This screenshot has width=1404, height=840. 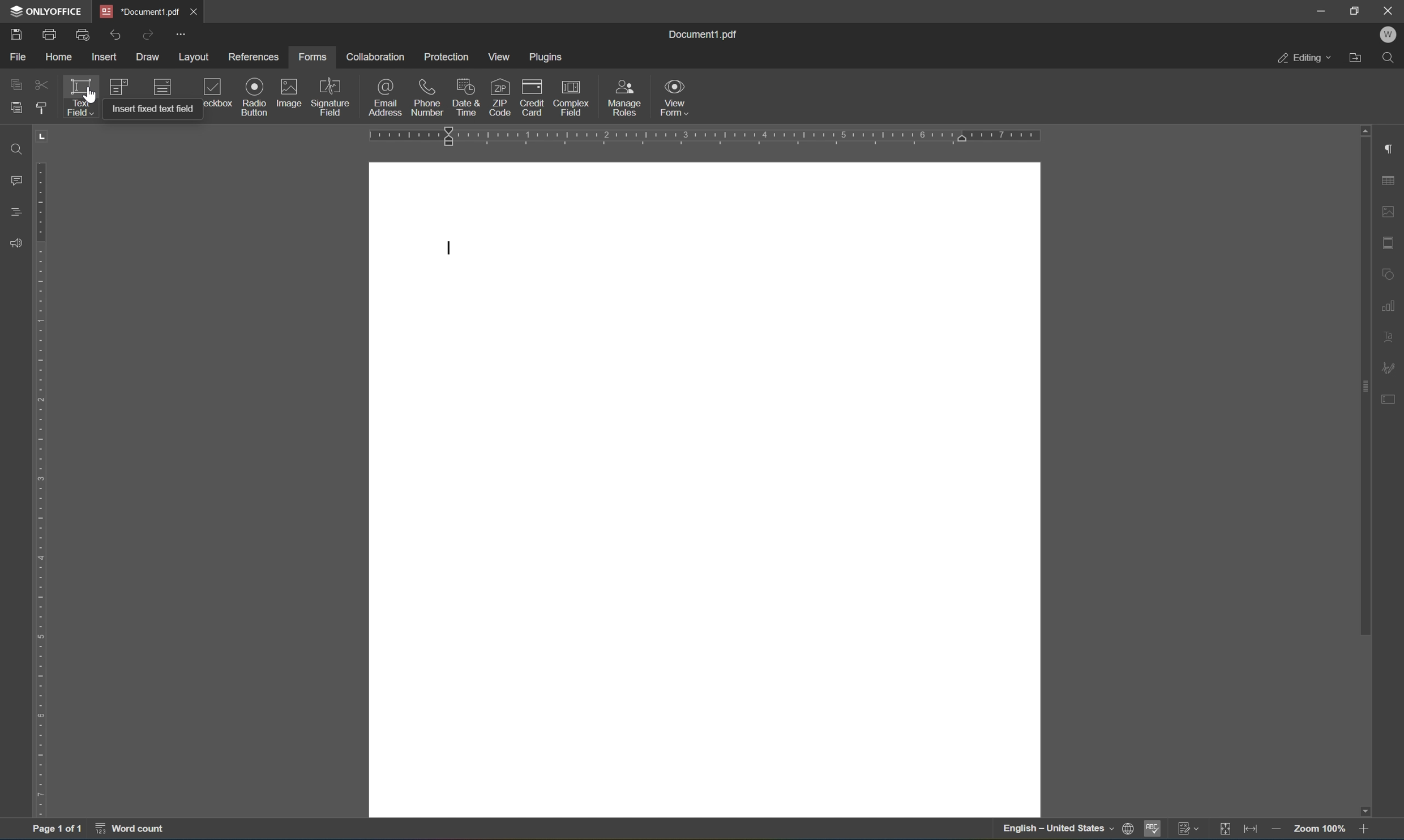 What do you see at coordinates (17, 36) in the screenshot?
I see `save` at bounding box center [17, 36].